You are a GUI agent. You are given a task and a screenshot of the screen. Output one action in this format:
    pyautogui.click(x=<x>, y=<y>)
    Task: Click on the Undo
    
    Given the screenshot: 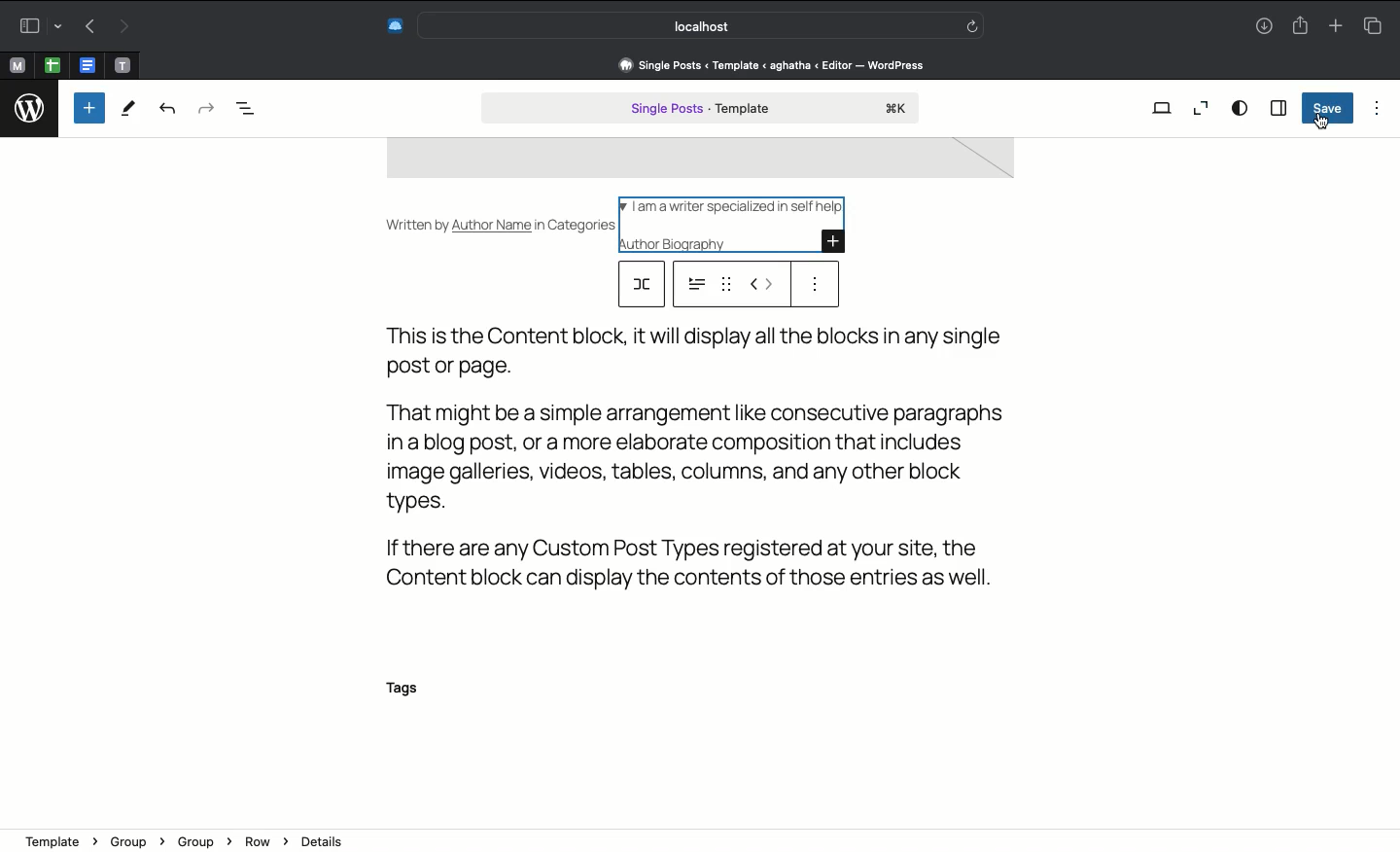 What is the action you would take?
    pyautogui.click(x=167, y=110)
    